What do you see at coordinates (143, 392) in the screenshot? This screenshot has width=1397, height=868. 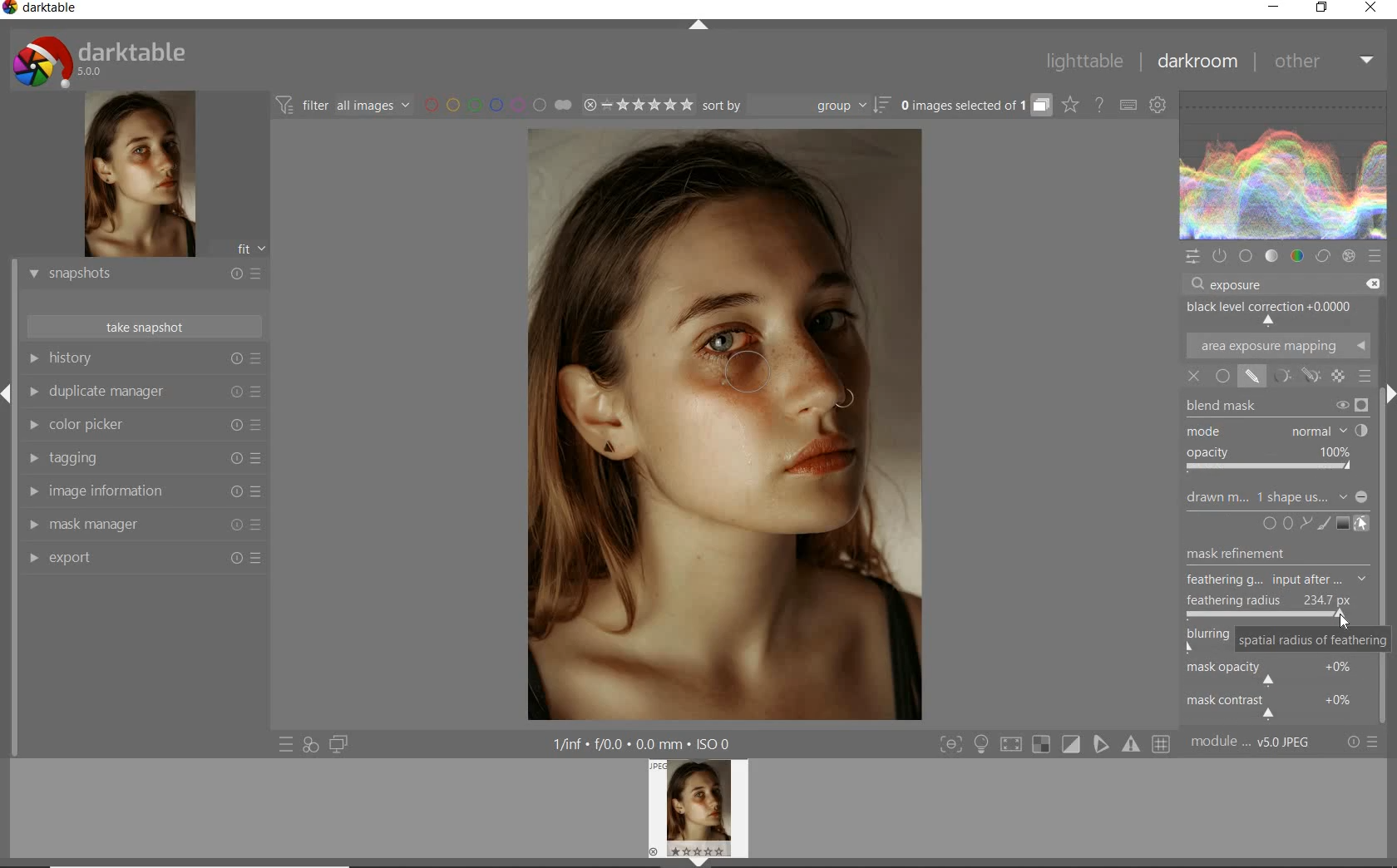 I see `duplicate manager` at bounding box center [143, 392].